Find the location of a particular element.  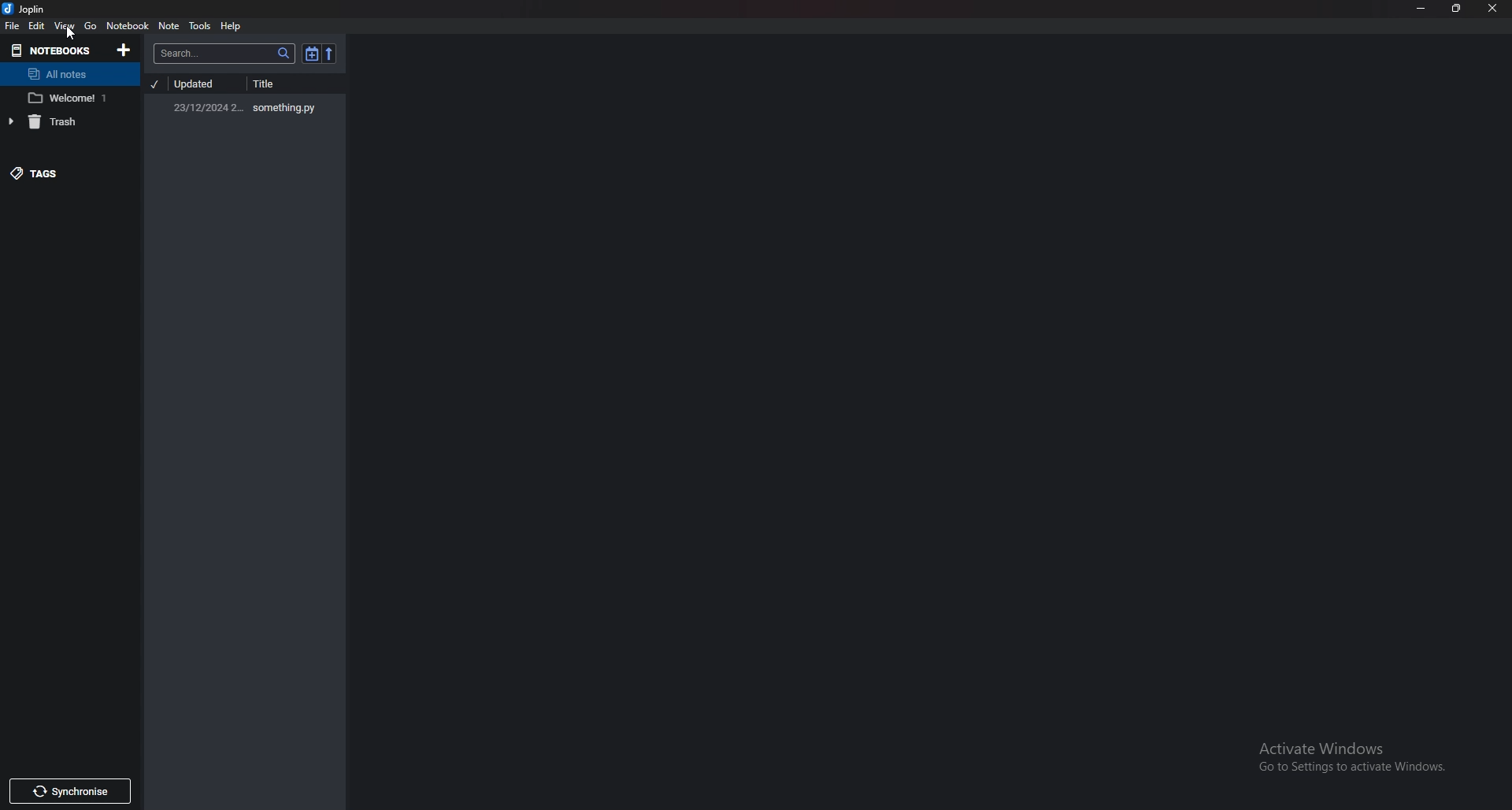

cursor is located at coordinates (69, 33).